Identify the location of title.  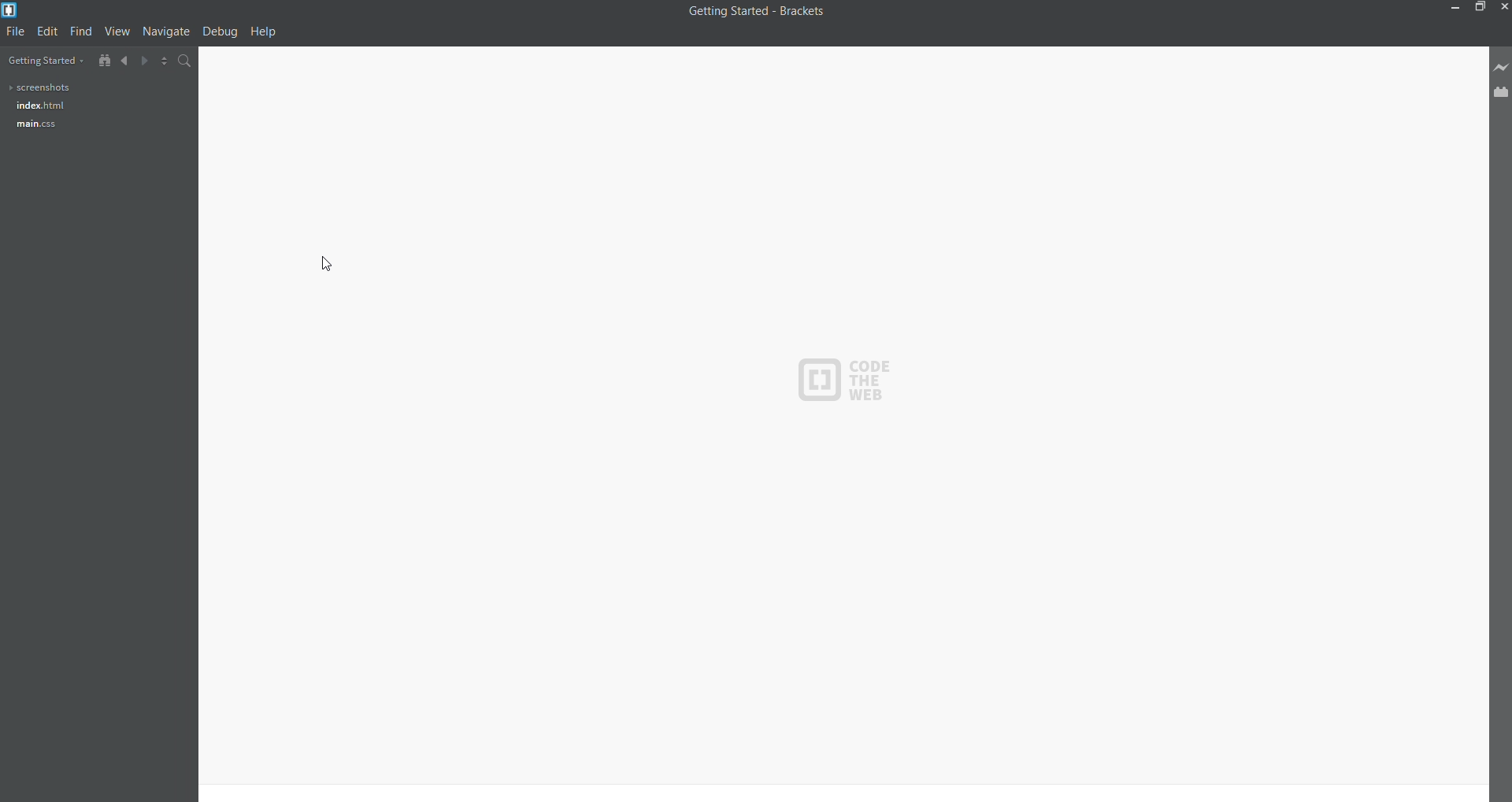
(755, 16).